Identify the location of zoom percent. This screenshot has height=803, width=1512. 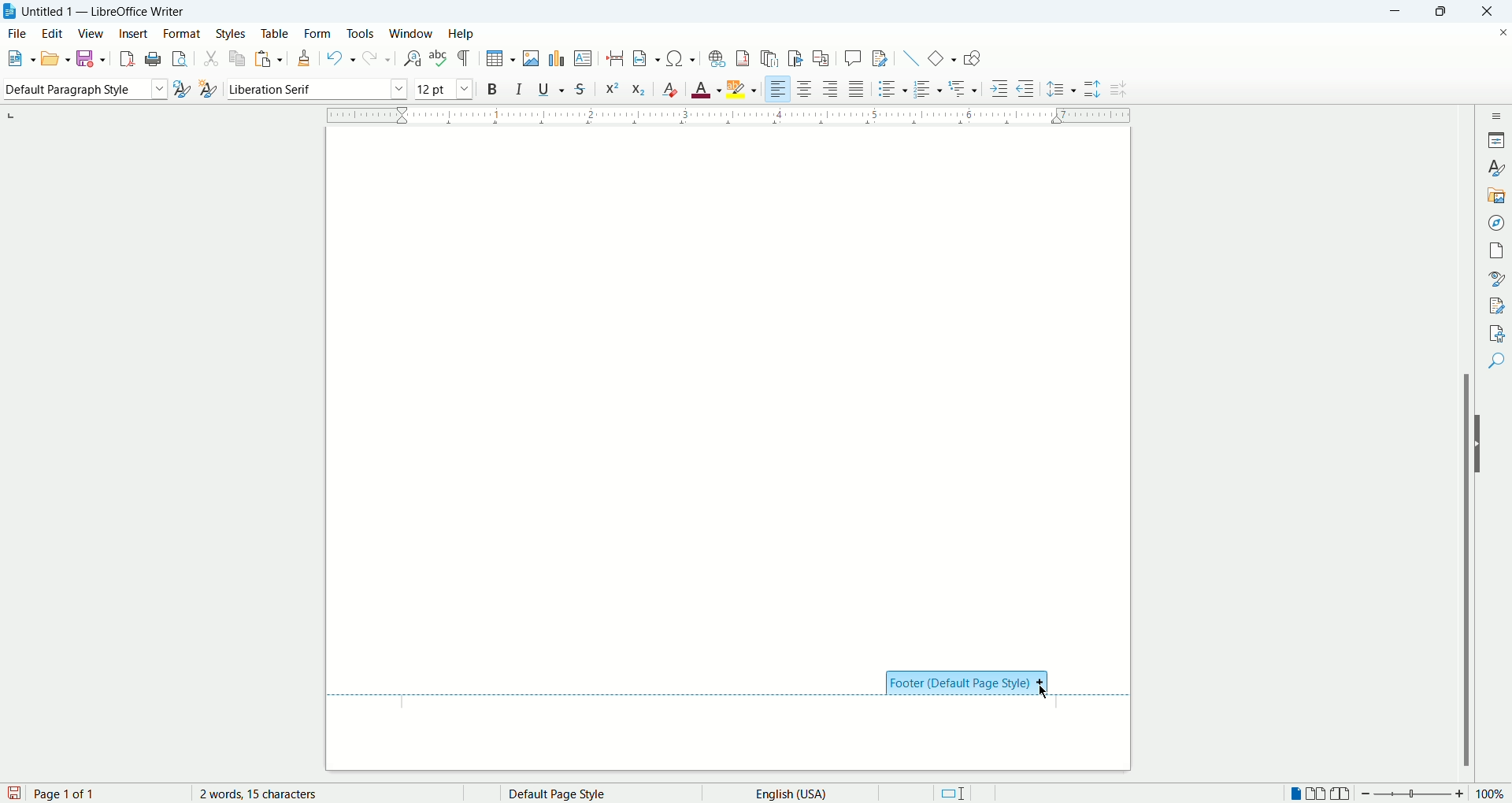
(1492, 795).